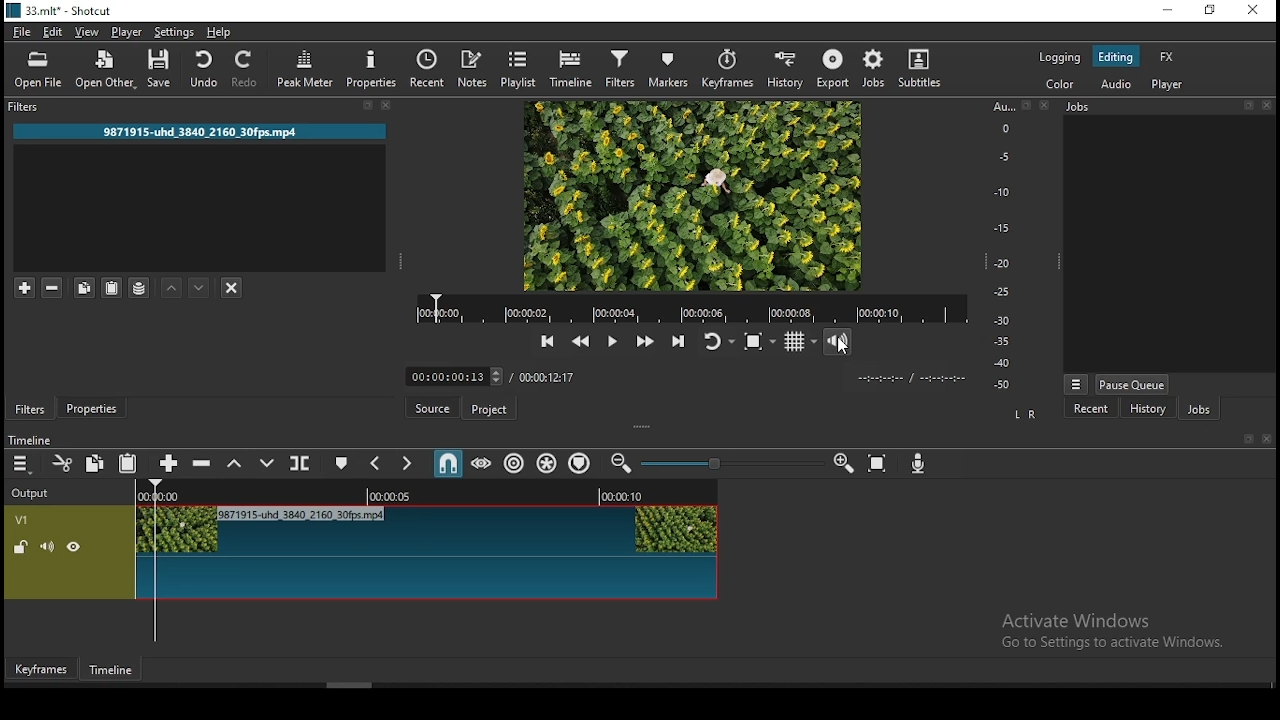  I want to click on scrub while dragging, so click(482, 464).